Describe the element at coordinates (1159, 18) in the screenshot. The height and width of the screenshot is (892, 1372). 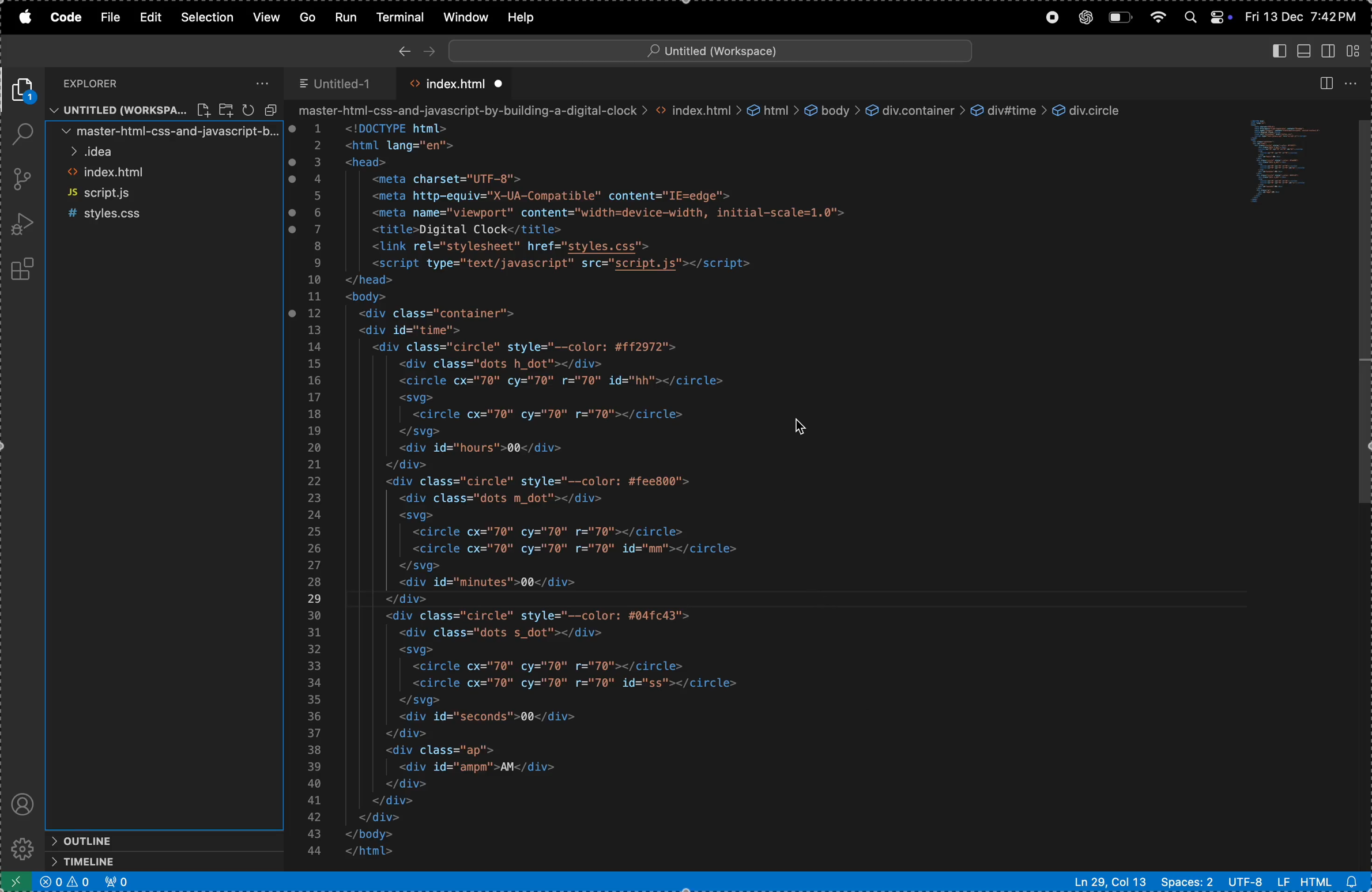
I see `wifi` at that location.